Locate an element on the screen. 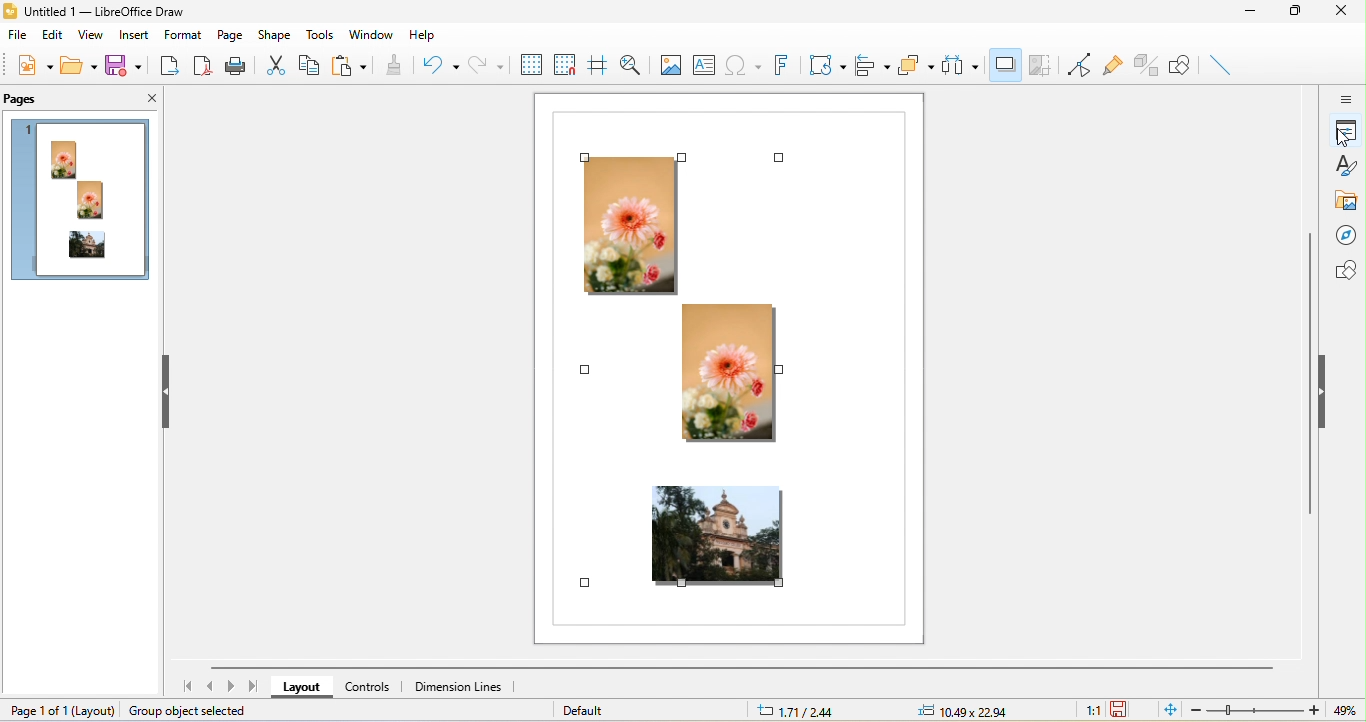 Image resolution: width=1366 pixels, height=722 pixels. export directly as pdf is located at coordinates (205, 68).